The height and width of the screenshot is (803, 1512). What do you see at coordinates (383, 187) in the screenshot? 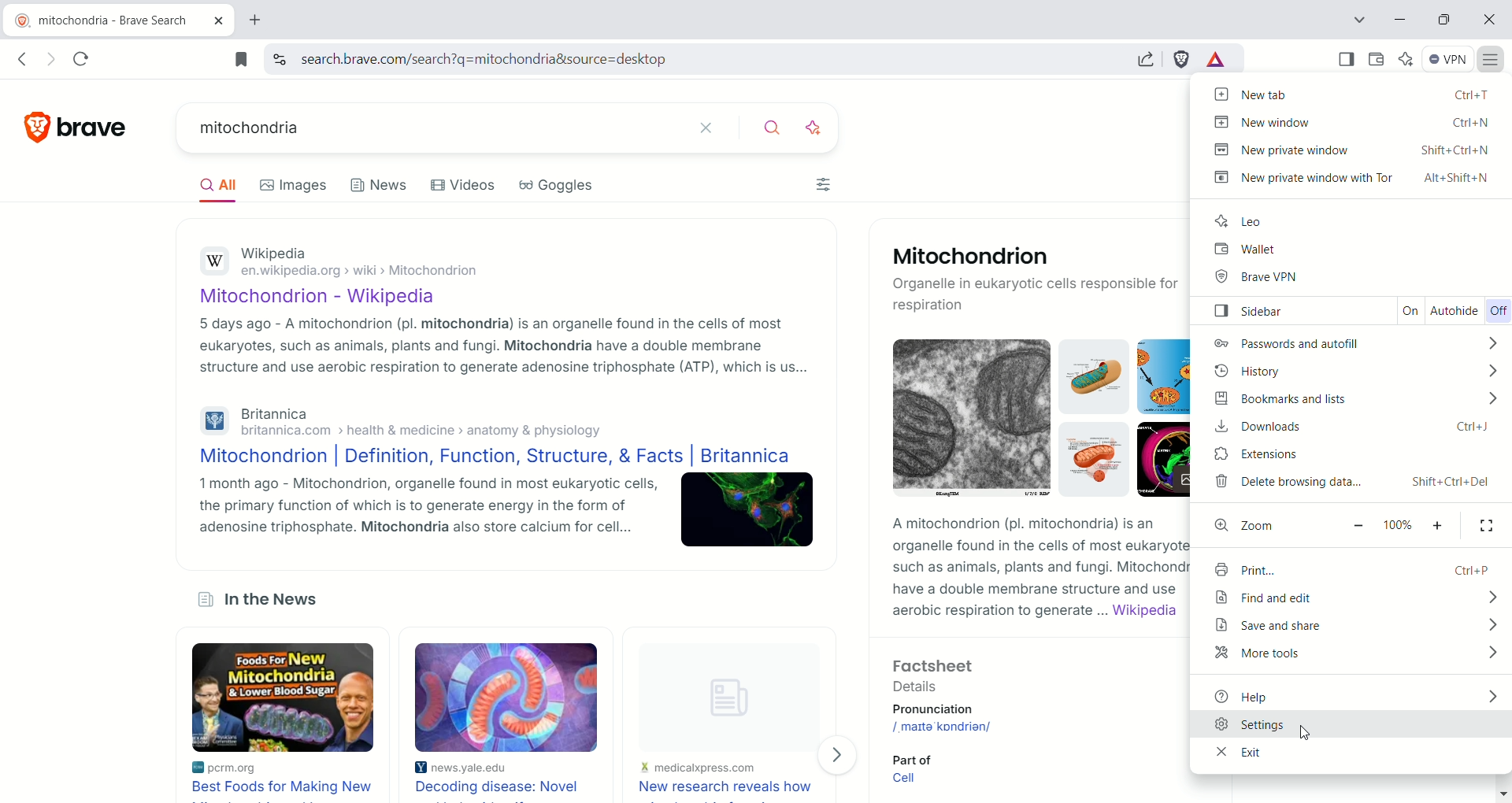
I see `News` at bounding box center [383, 187].